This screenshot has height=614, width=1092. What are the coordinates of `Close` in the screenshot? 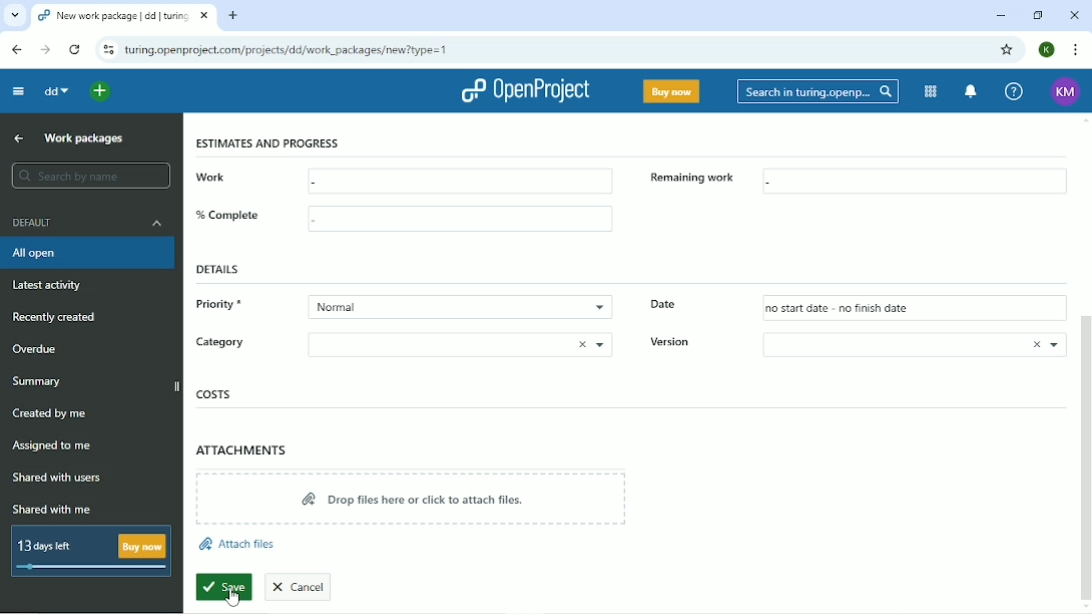 It's located at (1076, 15).